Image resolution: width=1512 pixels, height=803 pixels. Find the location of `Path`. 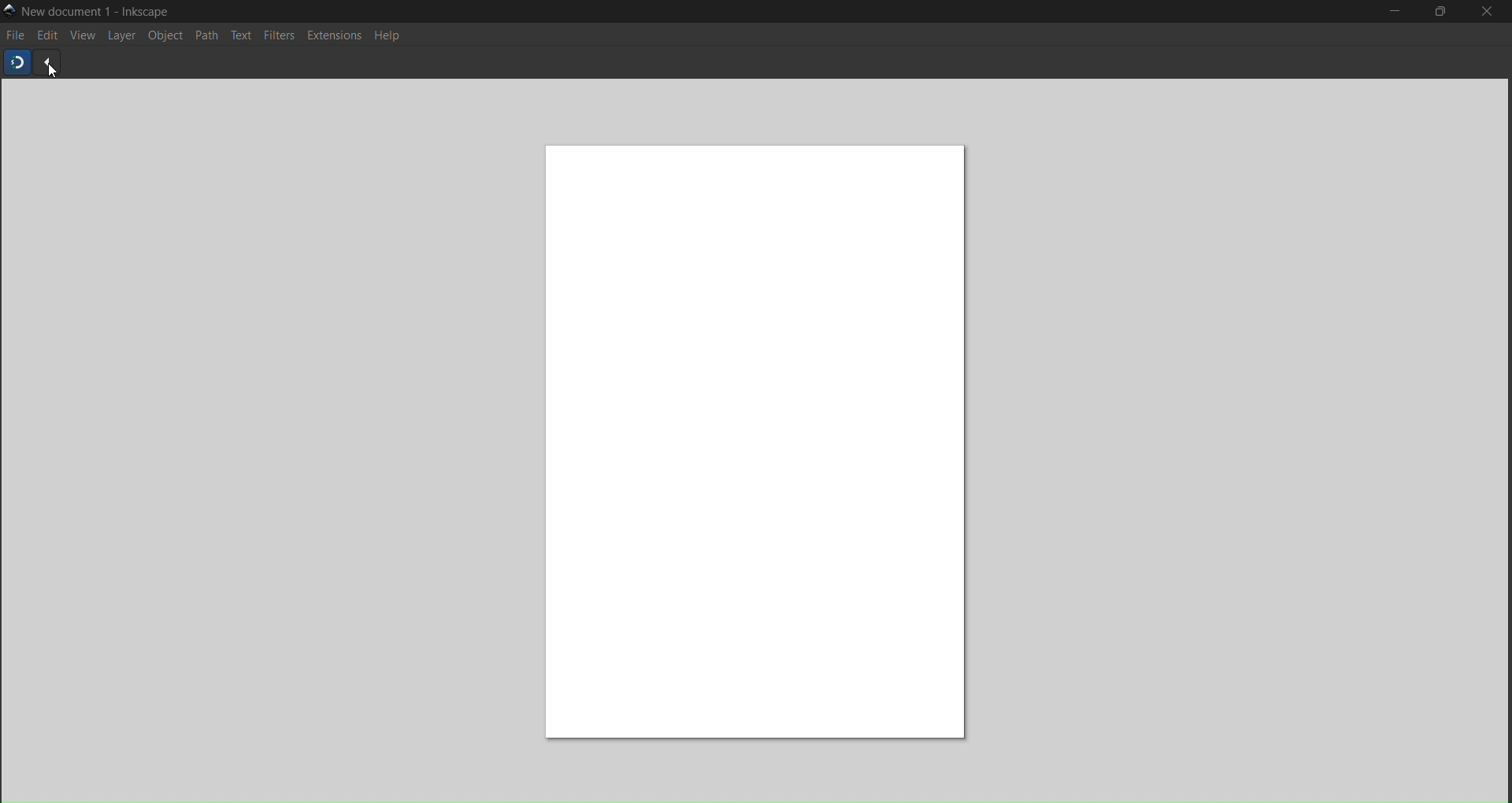

Path is located at coordinates (207, 36).